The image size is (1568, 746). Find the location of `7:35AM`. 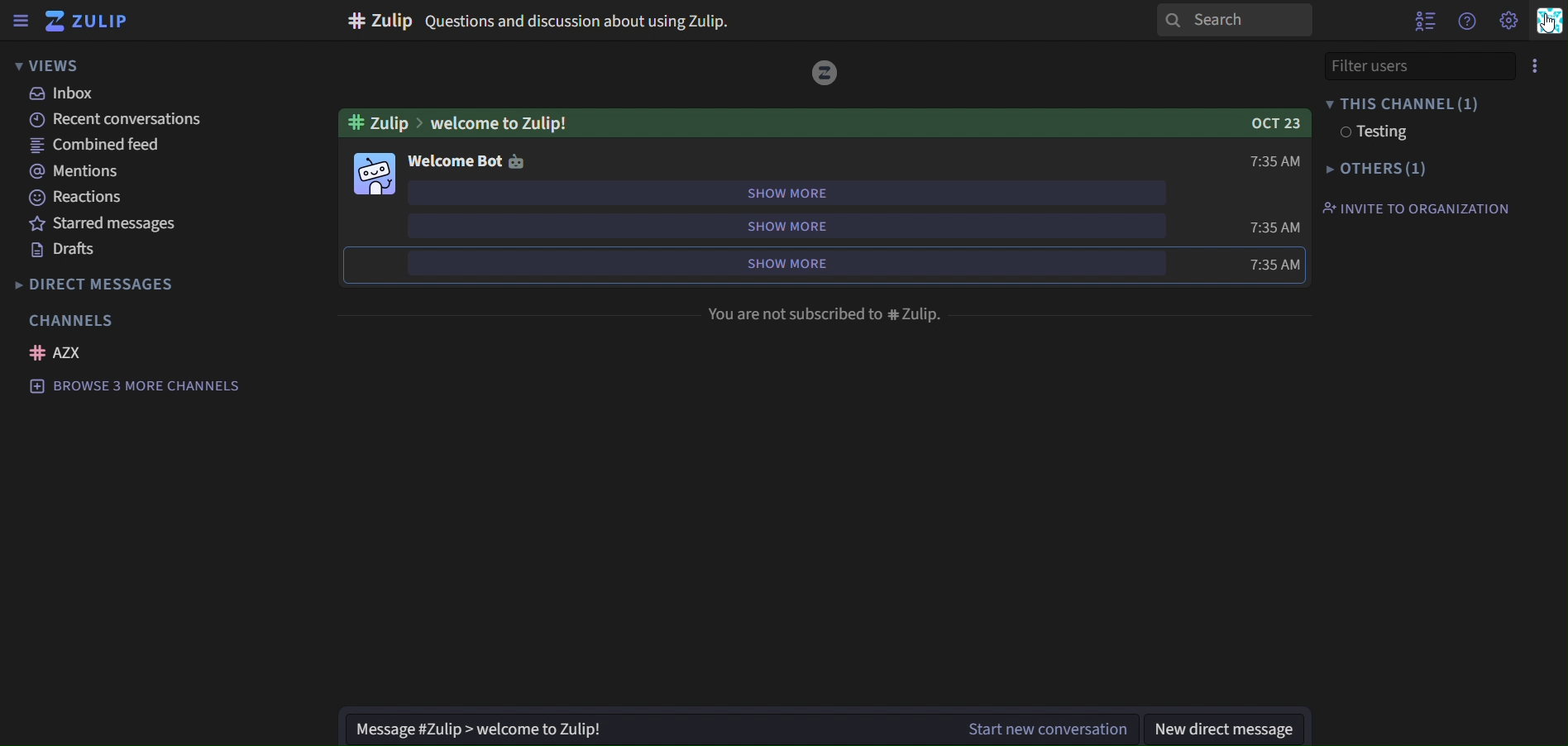

7:35AM is located at coordinates (1277, 264).